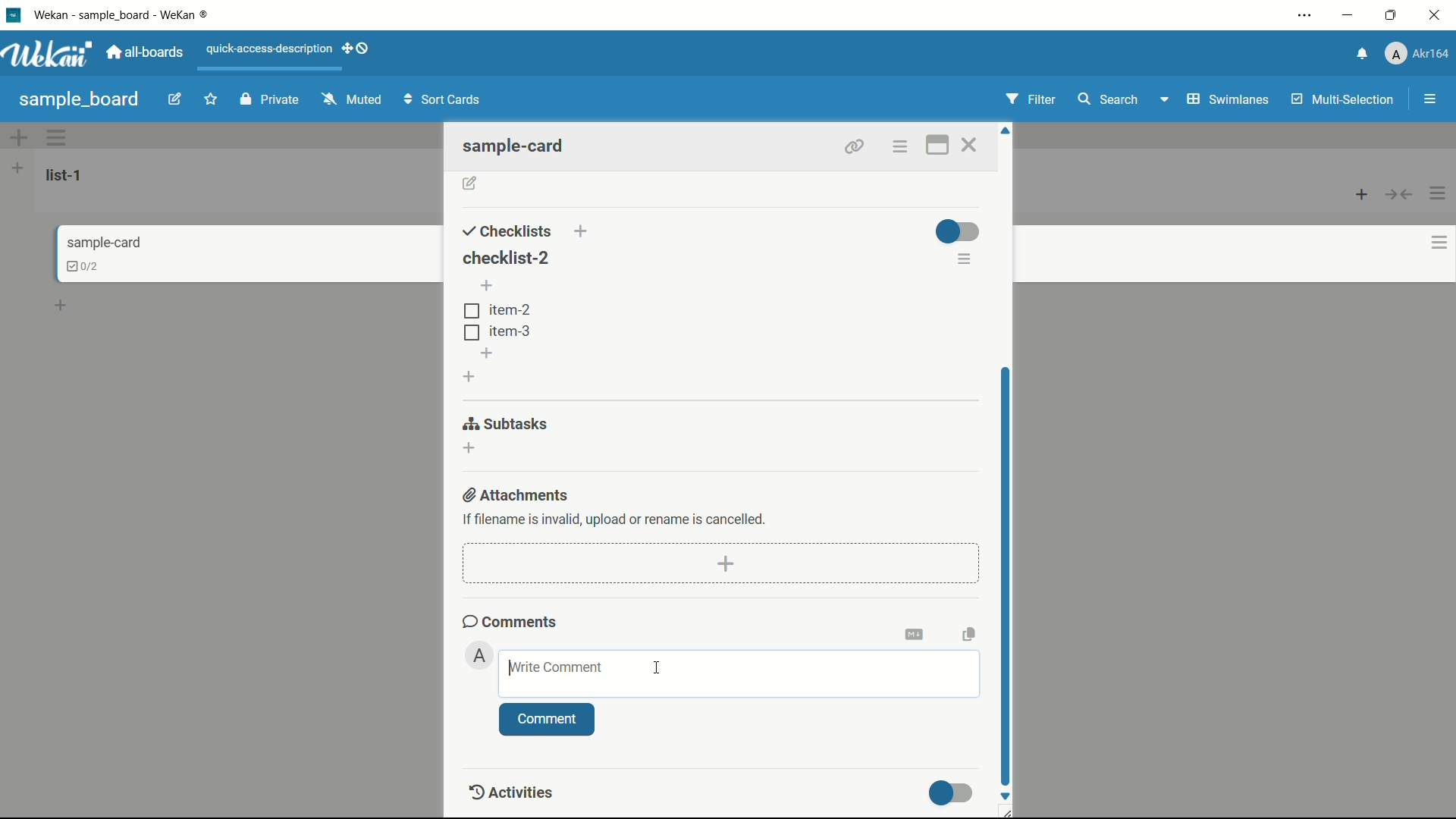 The image size is (1456, 819). Describe the element at coordinates (973, 145) in the screenshot. I see `close card` at that location.